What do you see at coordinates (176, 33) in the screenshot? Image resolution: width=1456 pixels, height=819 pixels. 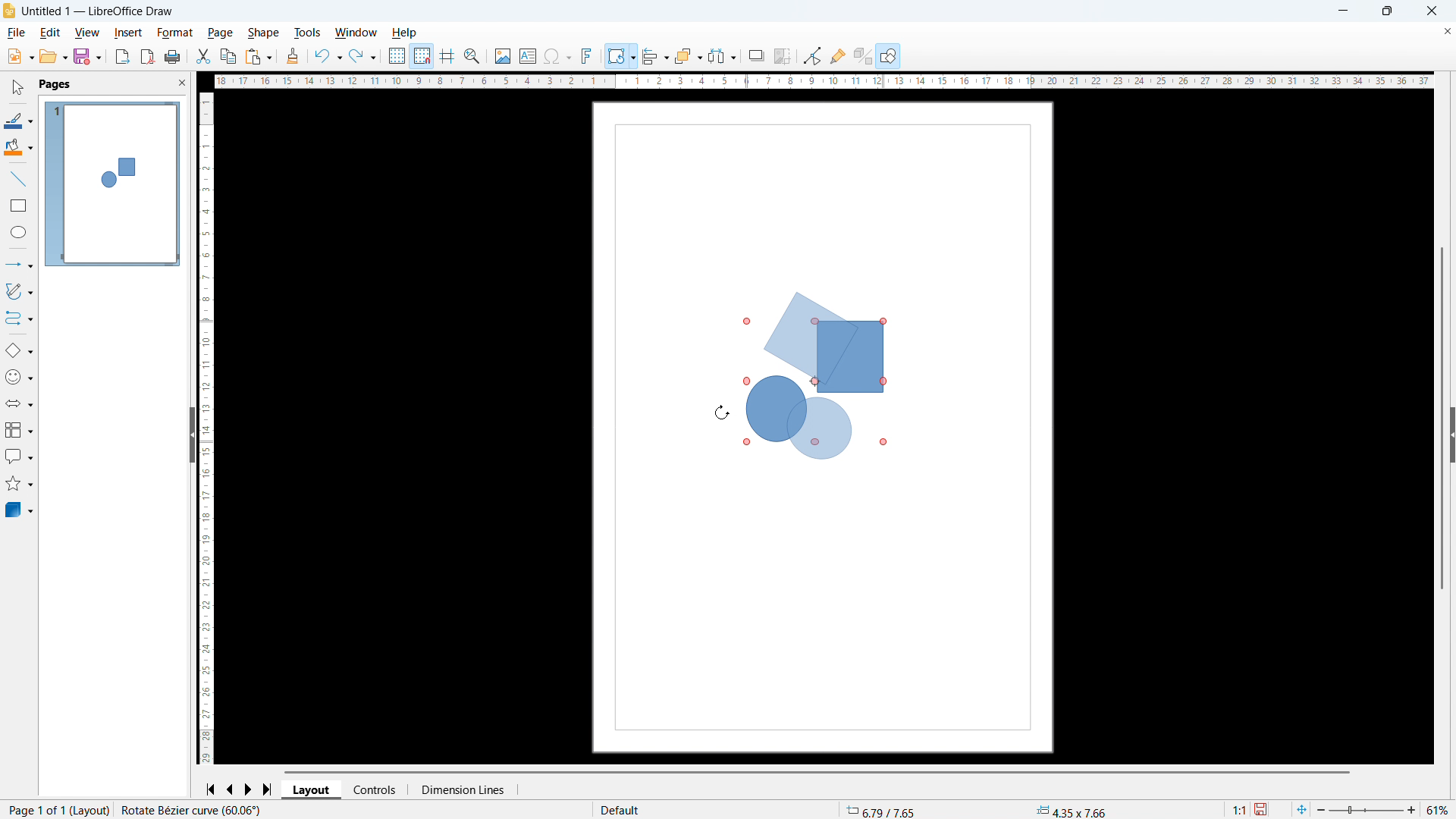 I see `Format ` at bounding box center [176, 33].